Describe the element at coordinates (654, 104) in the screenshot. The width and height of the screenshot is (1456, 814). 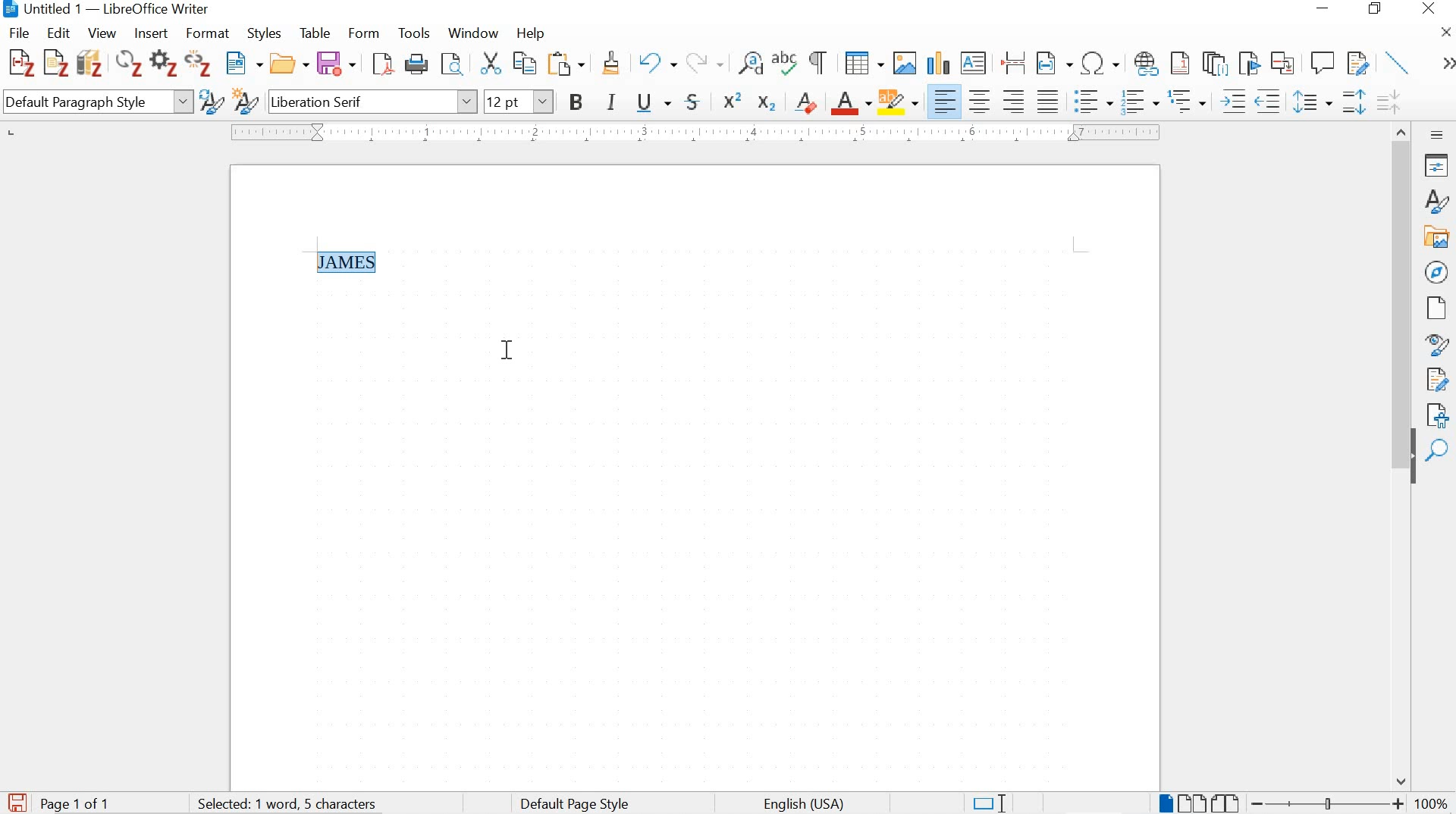
I see `underline` at that location.